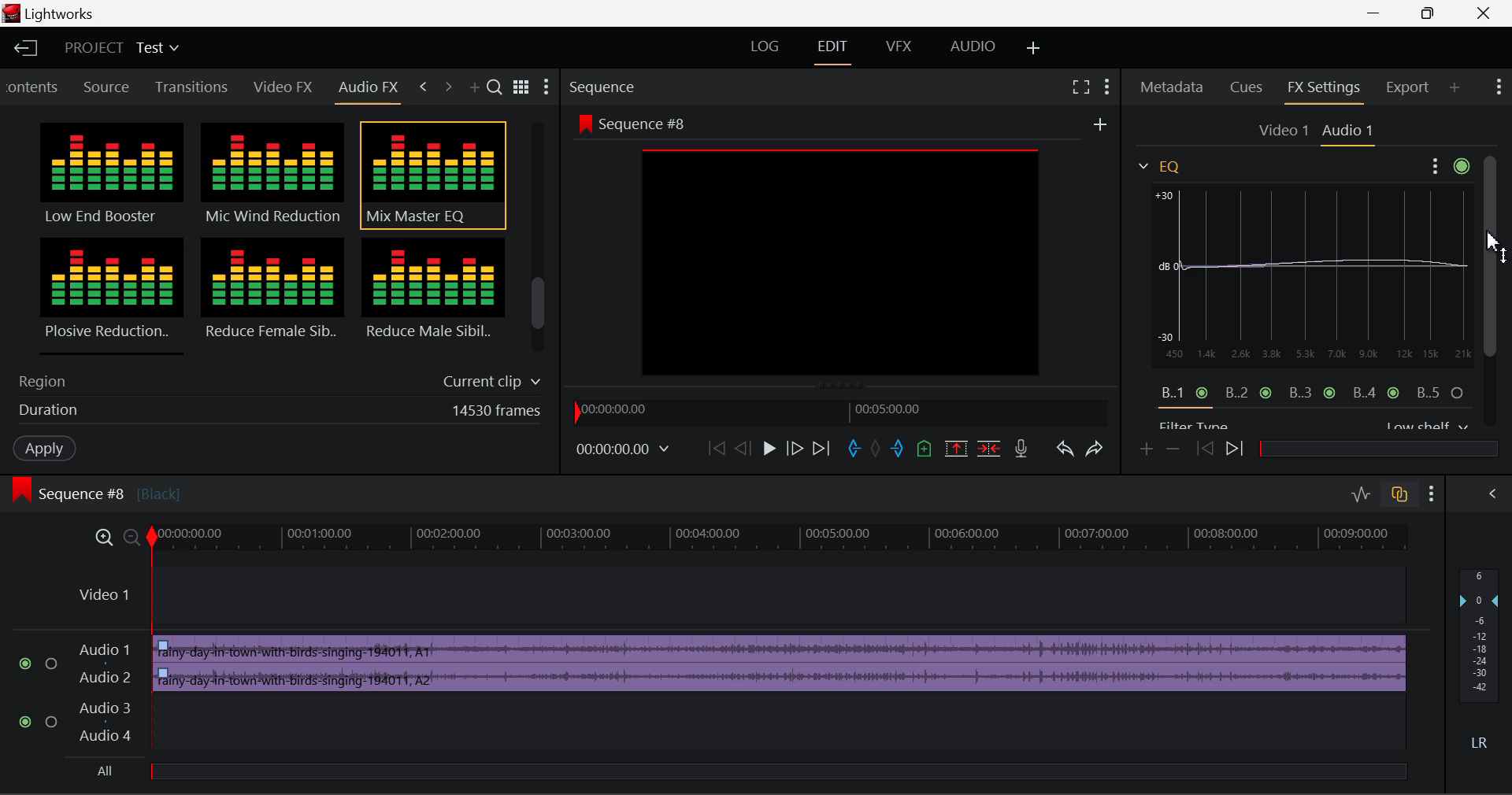 Image resolution: width=1512 pixels, height=795 pixels. I want to click on Toggle between title and list view, so click(524, 85).